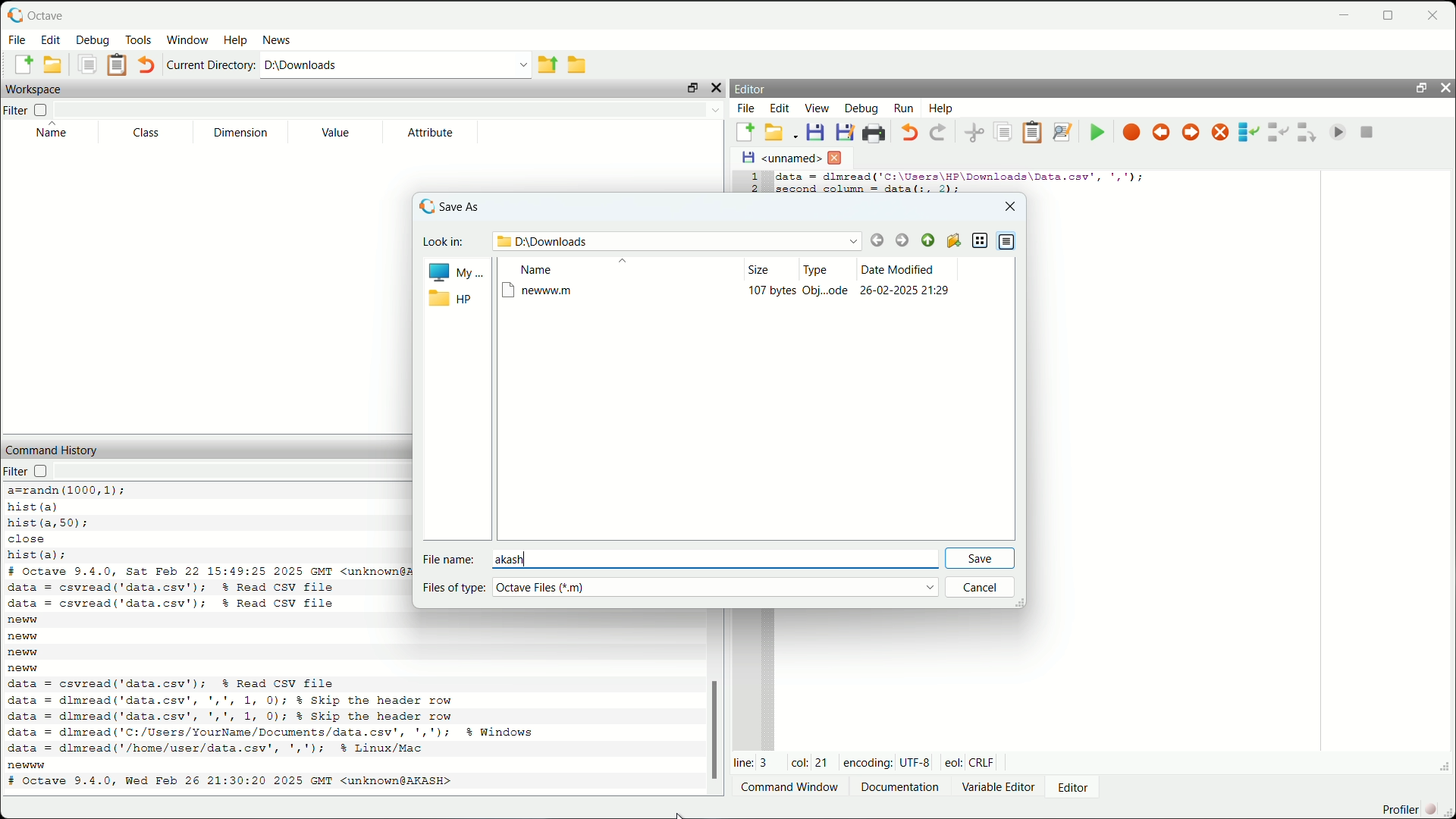 This screenshot has width=1456, height=819. What do you see at coordinates (1414, 808) in the screenshot?
I see `profiler` at bounding box center [1414, 808].